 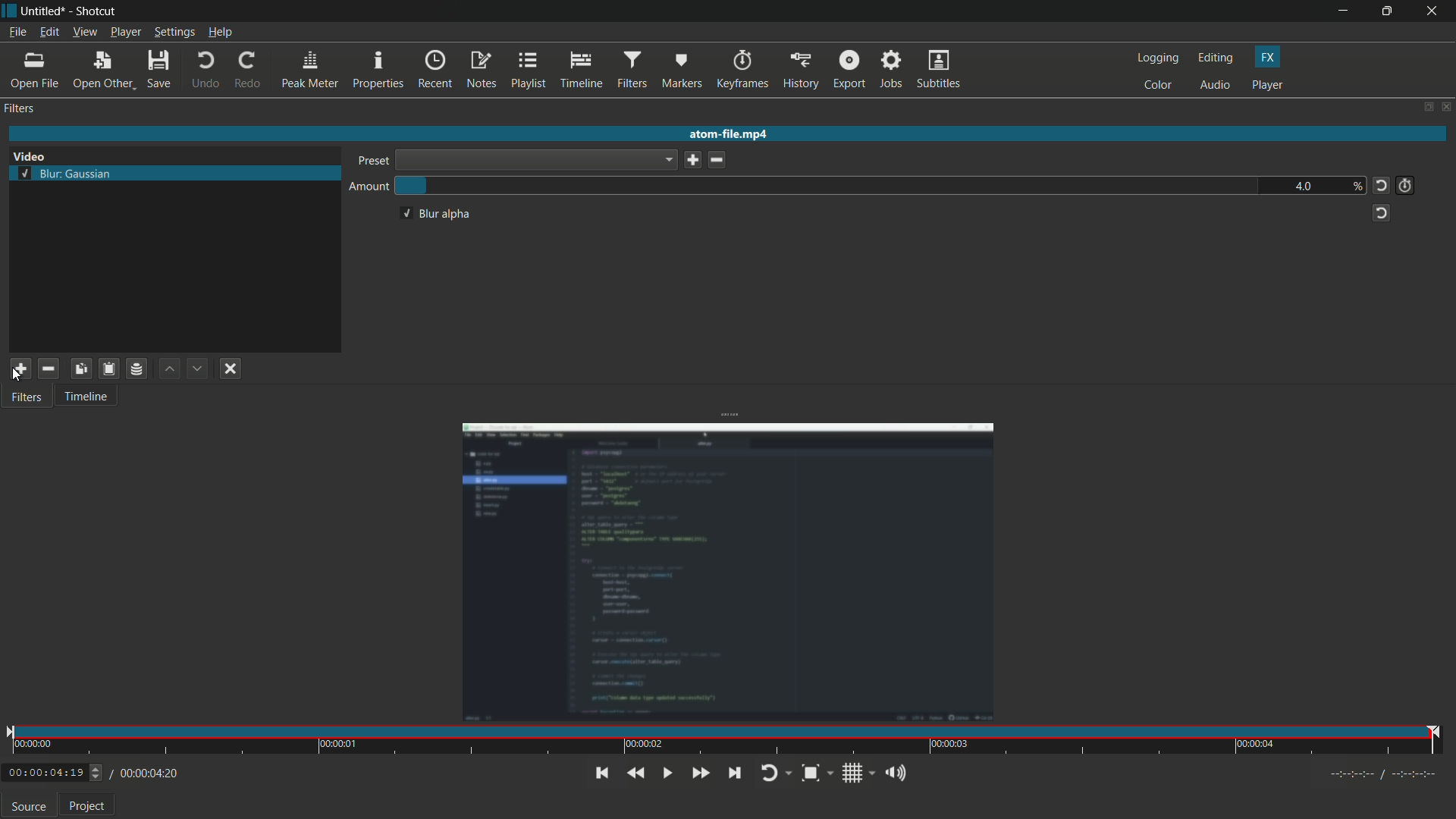 What do you see at coordinates (26, 398) in the screenshot?
I see `filters` at bounding box center [26, 398].